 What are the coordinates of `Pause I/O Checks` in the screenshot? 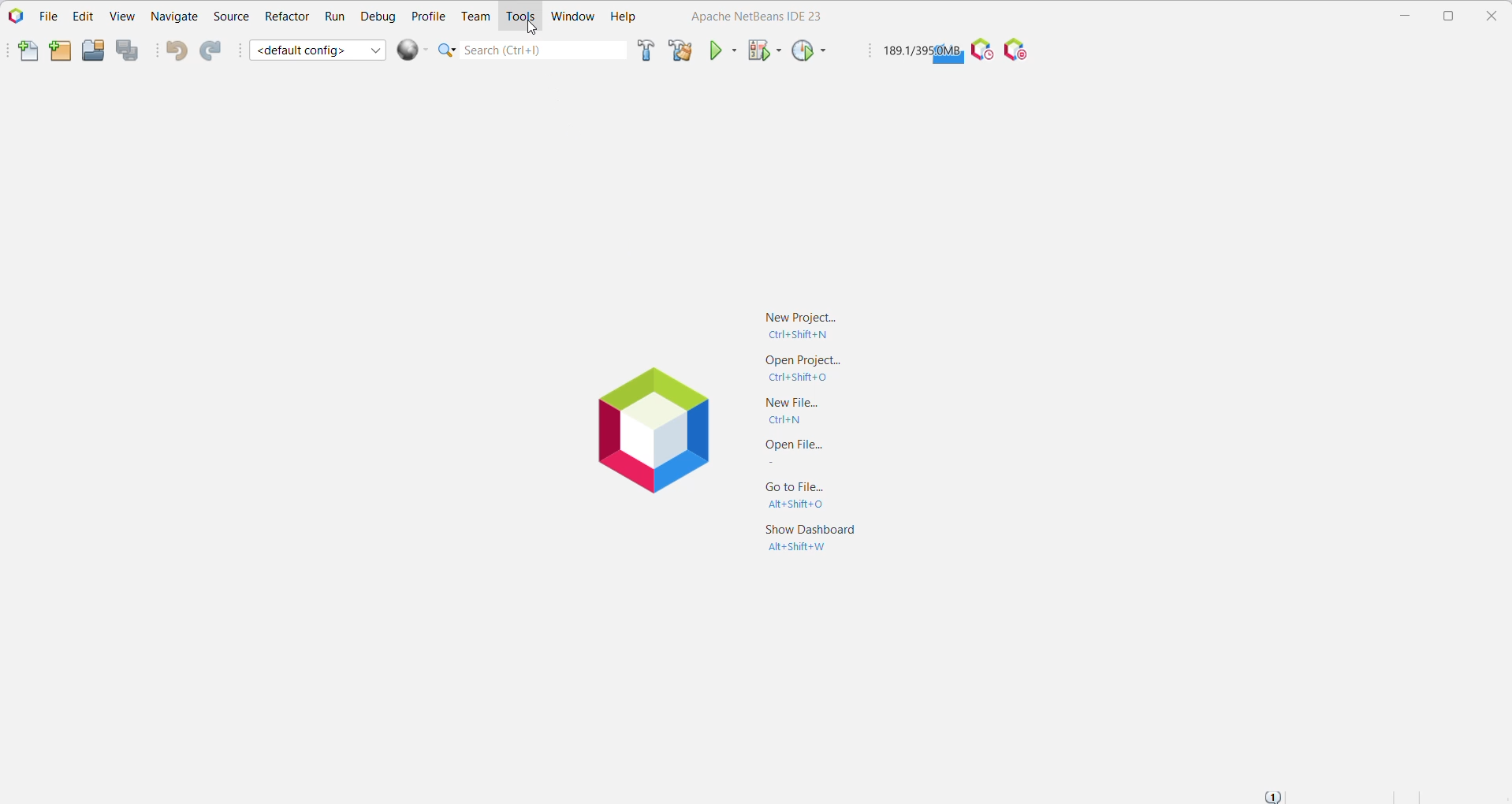 It's located at (1019, 50).